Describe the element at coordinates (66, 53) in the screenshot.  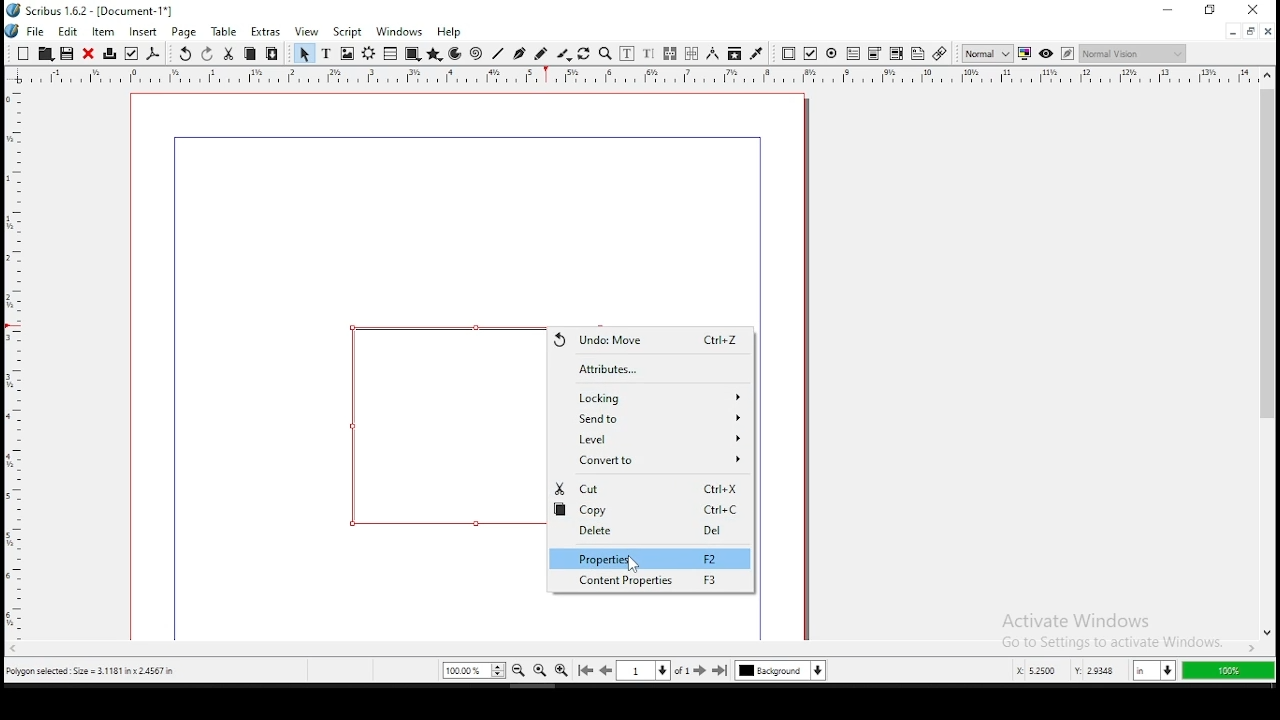
I see `save` at that location.